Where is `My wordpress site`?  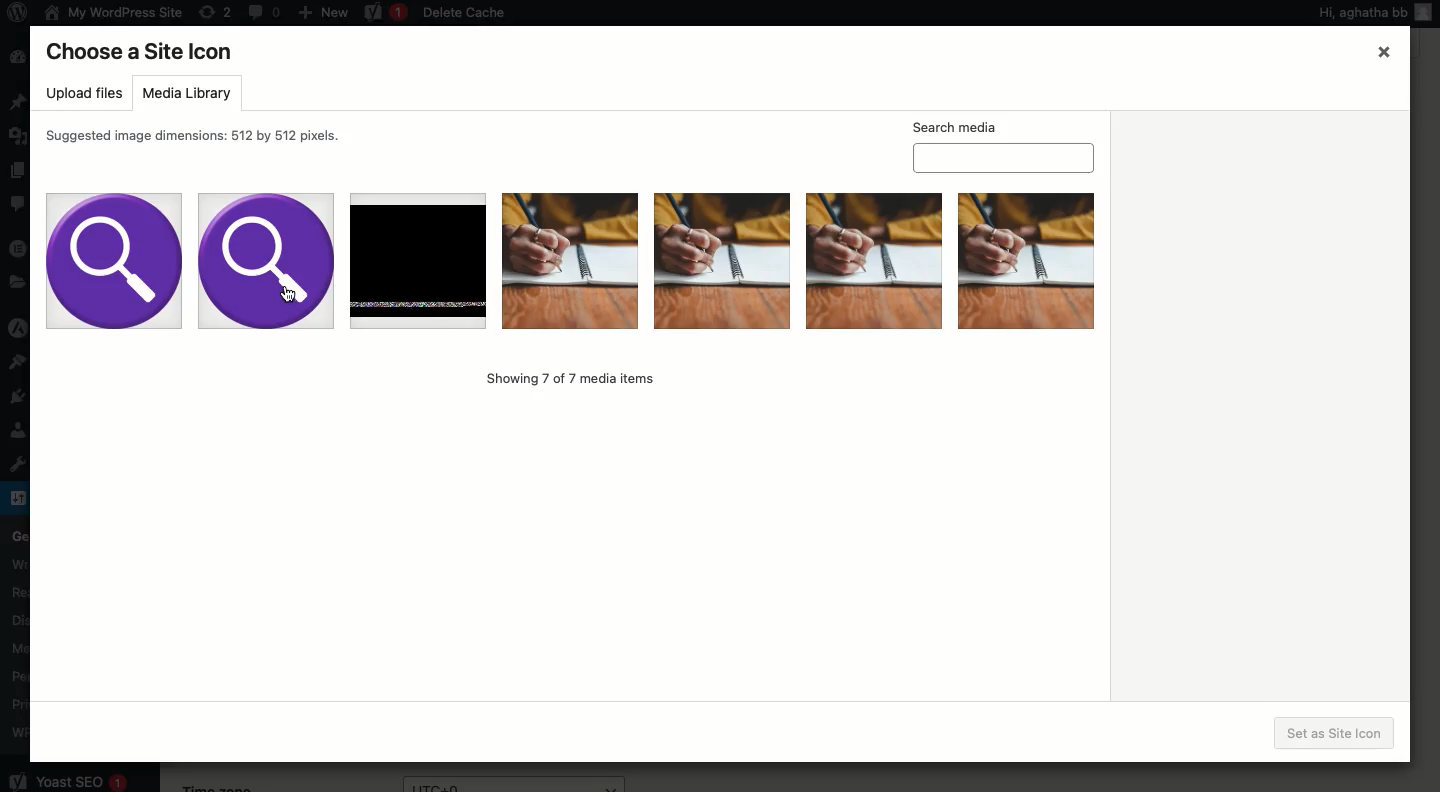 My wordpress site is located at coordinates (111, 12).